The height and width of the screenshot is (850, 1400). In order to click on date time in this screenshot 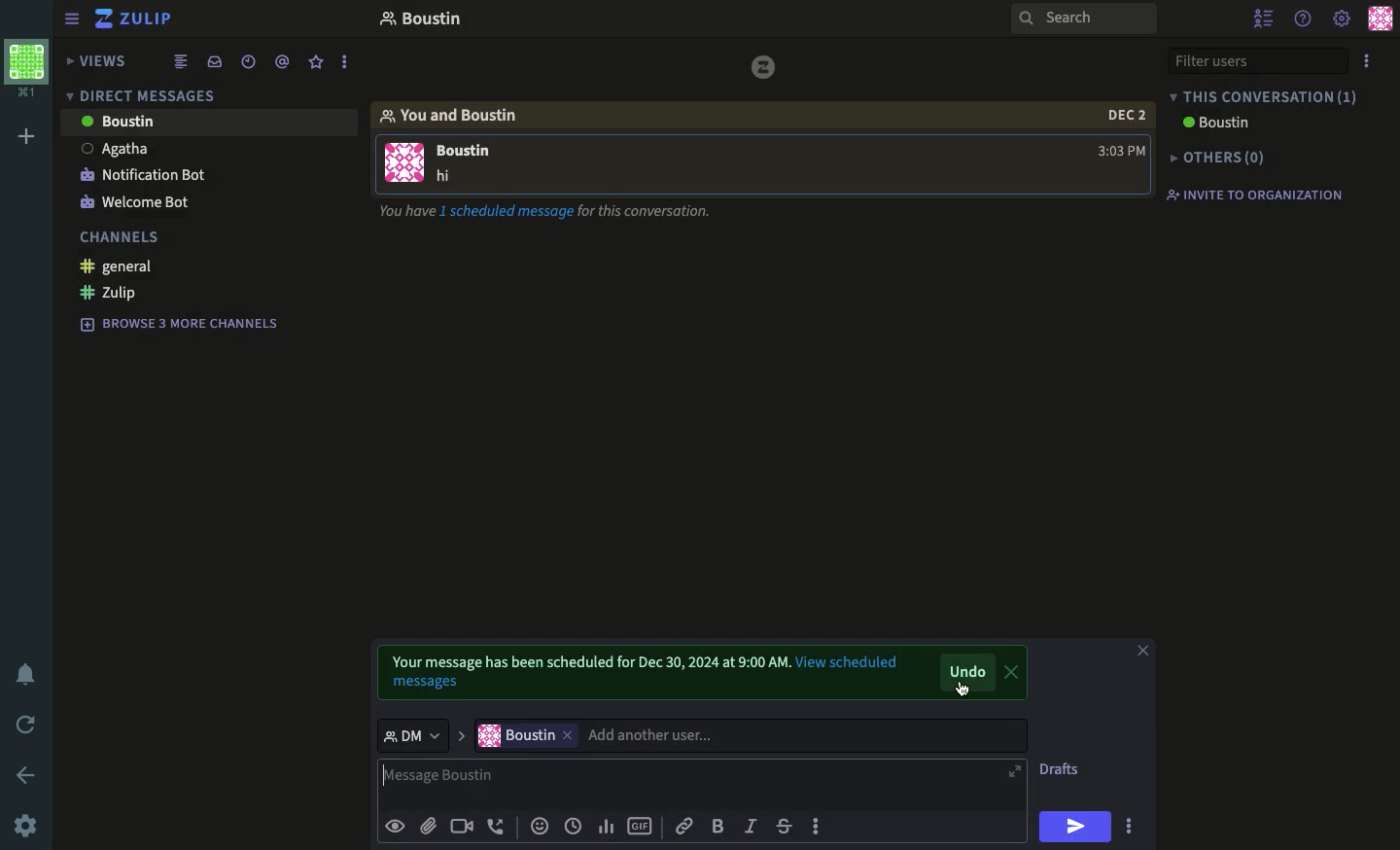, I will do `click(250, 62)`.